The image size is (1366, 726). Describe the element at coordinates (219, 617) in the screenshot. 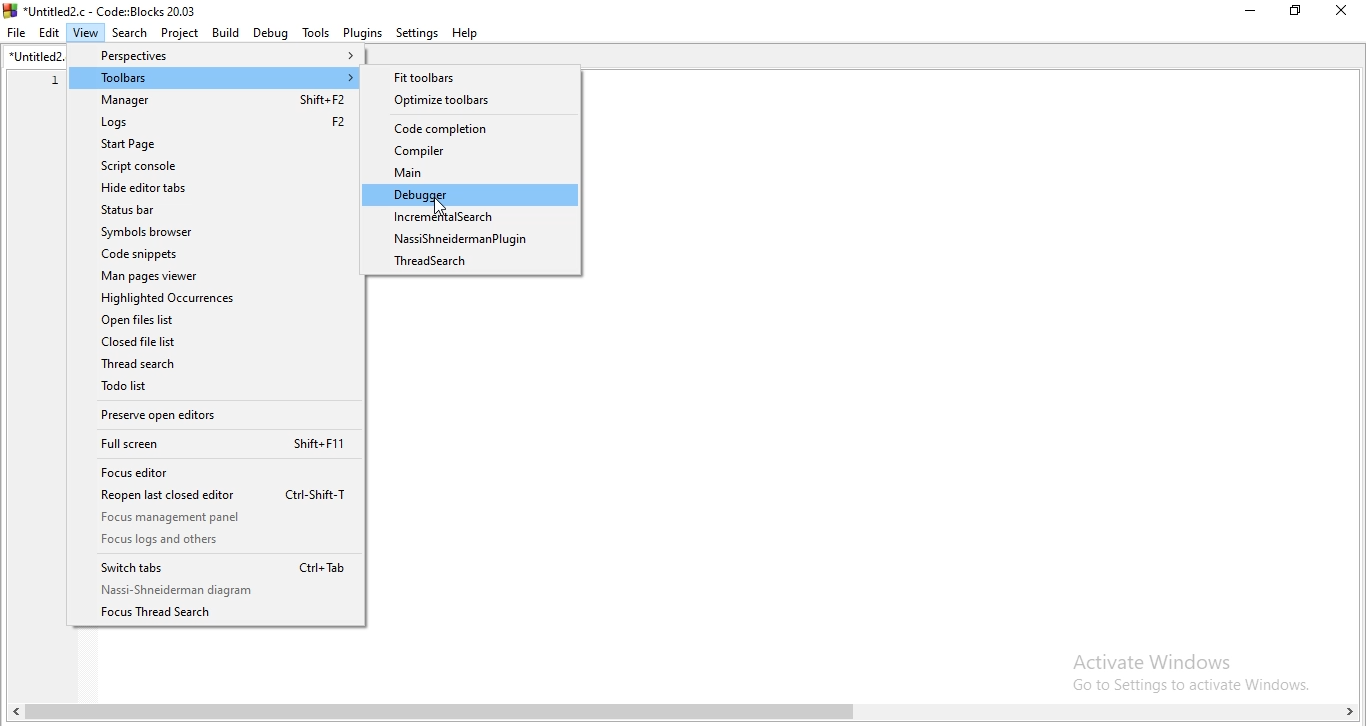

I see `Focus Thread Search` at that location.